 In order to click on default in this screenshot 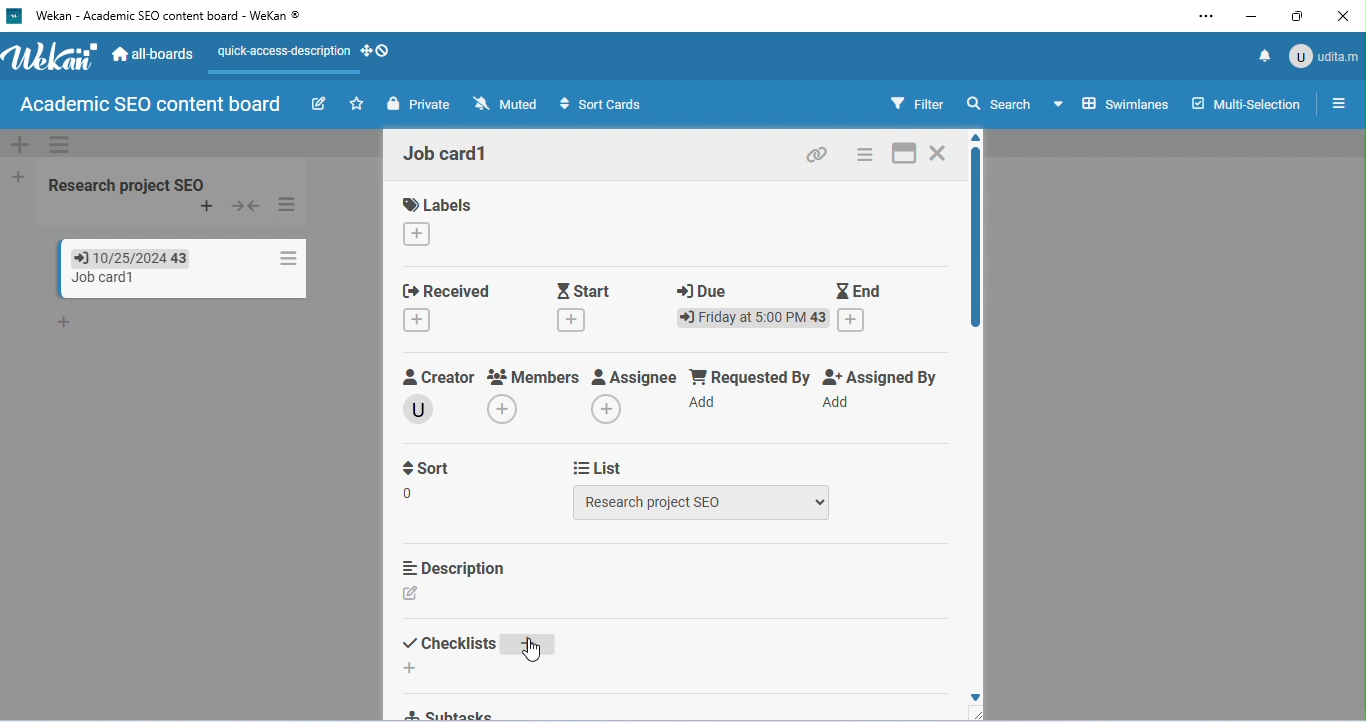, I will do `click(678, 143)`.